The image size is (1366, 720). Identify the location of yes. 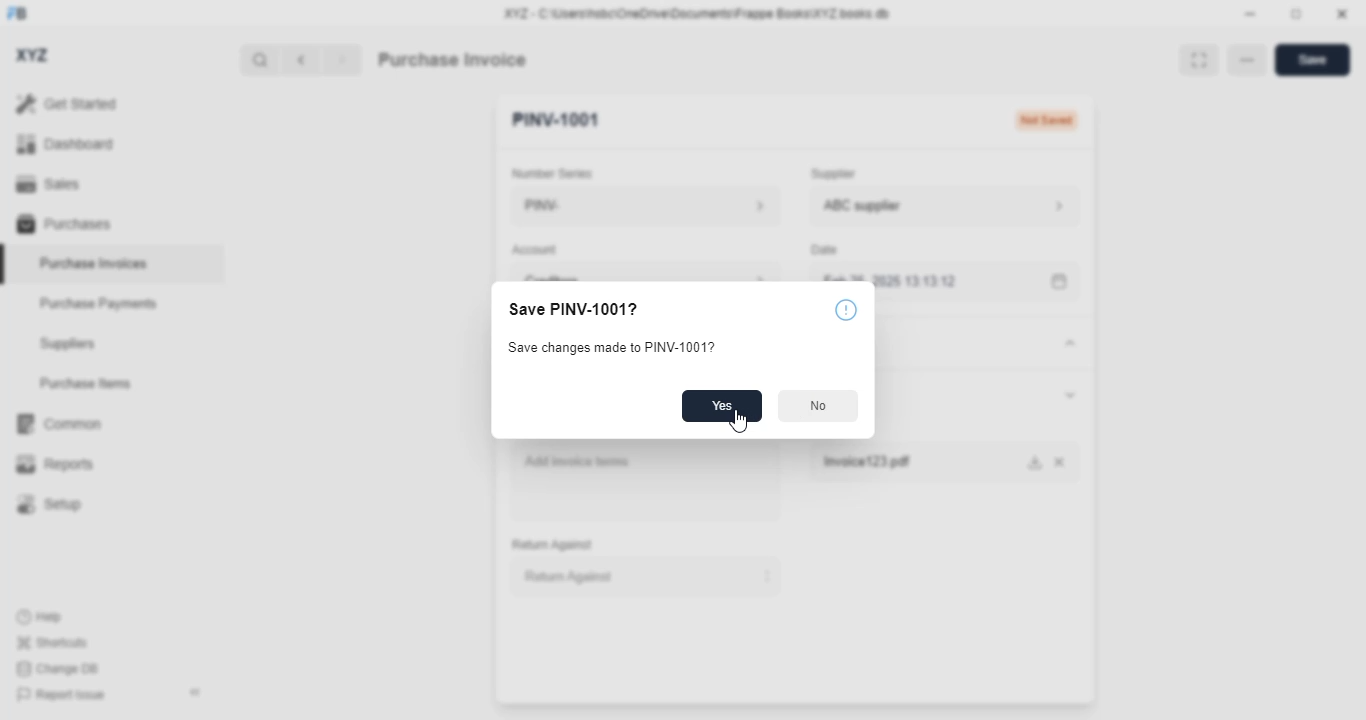
(723, 406).